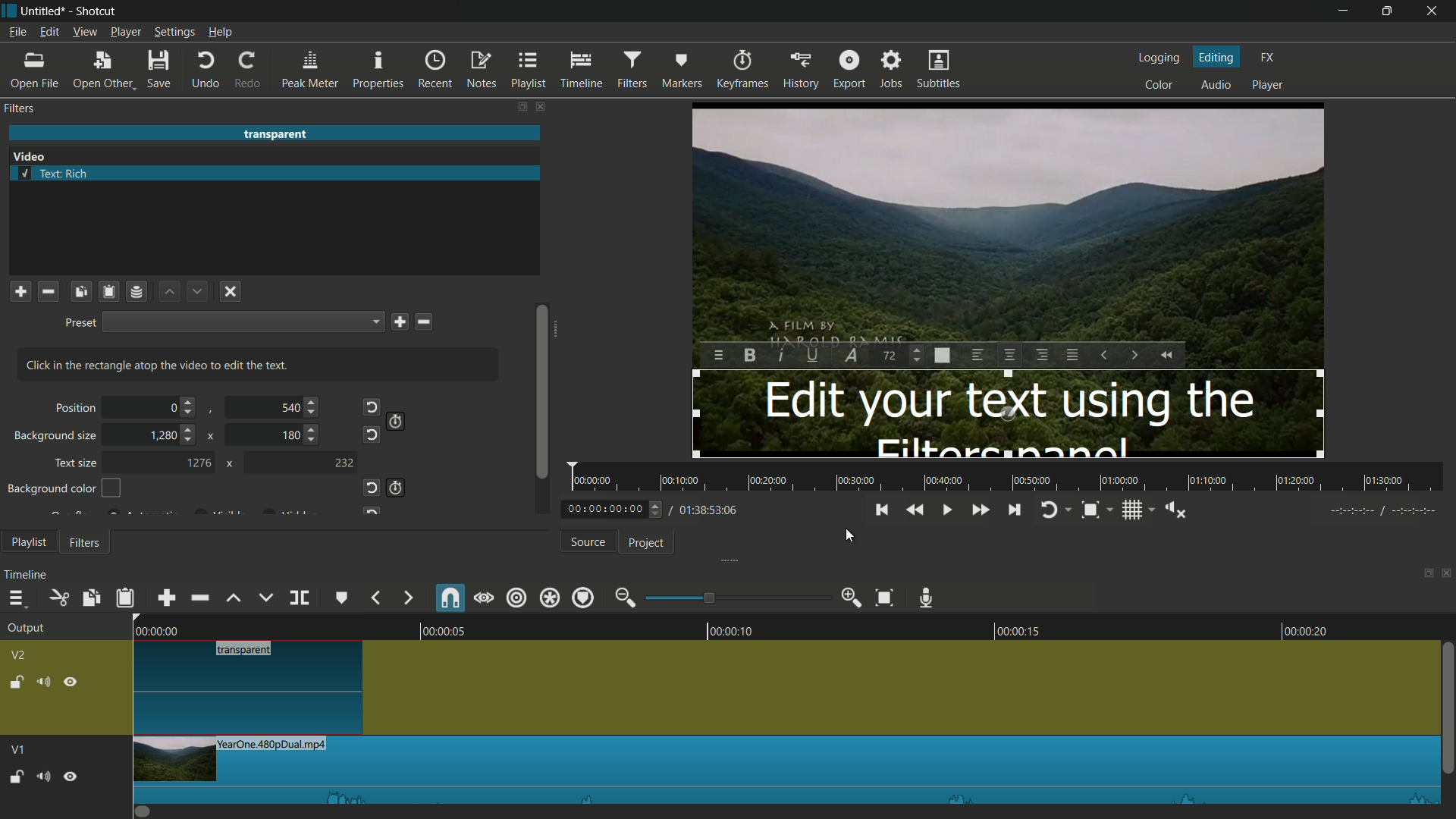 This screenshot has width=1456, height=819. Describe the element at coordinates (137, 293) in the screenshot. I see `Channel` at that location.